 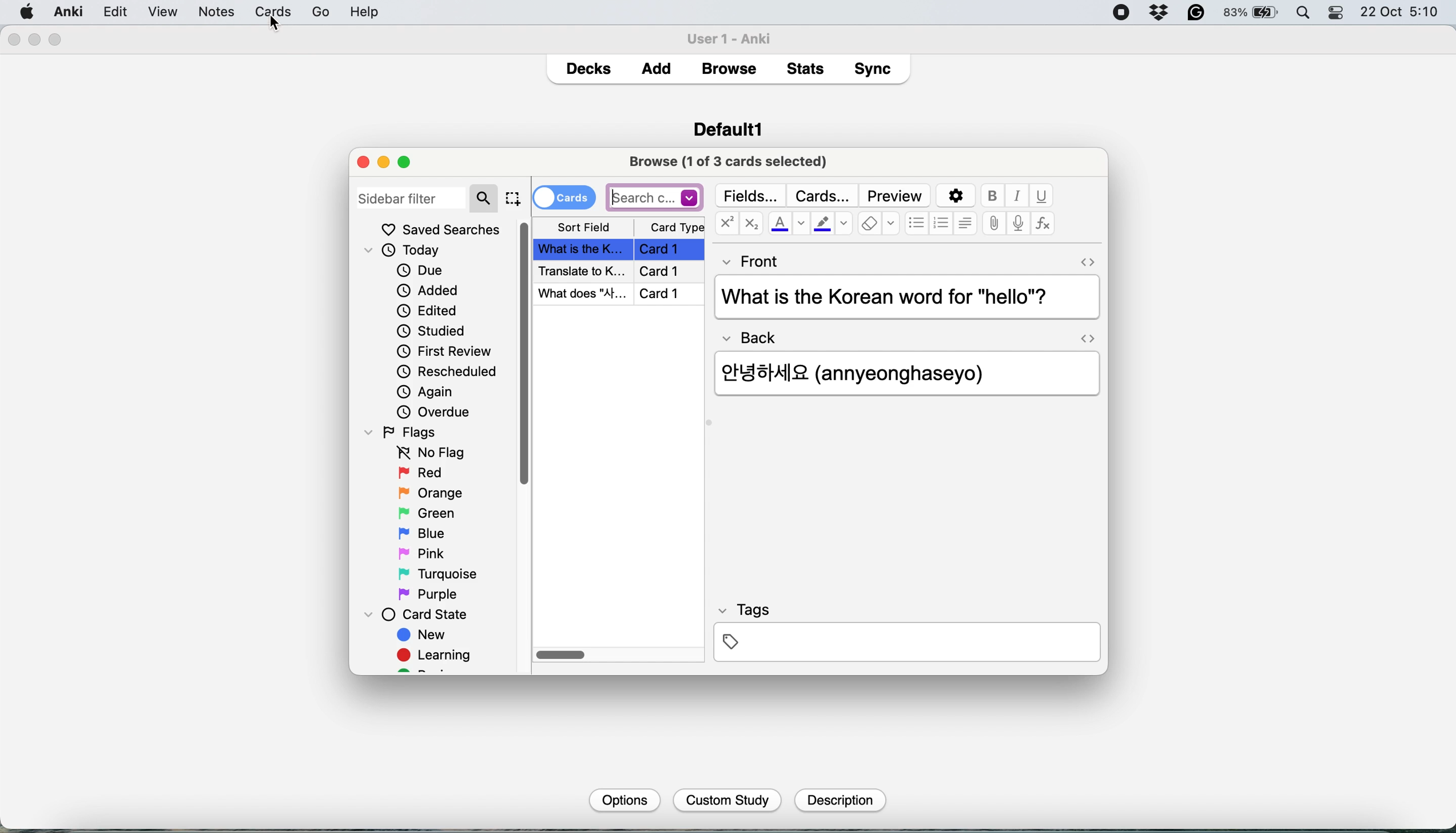 I want to click on italic, so click(x=1019, y=196).